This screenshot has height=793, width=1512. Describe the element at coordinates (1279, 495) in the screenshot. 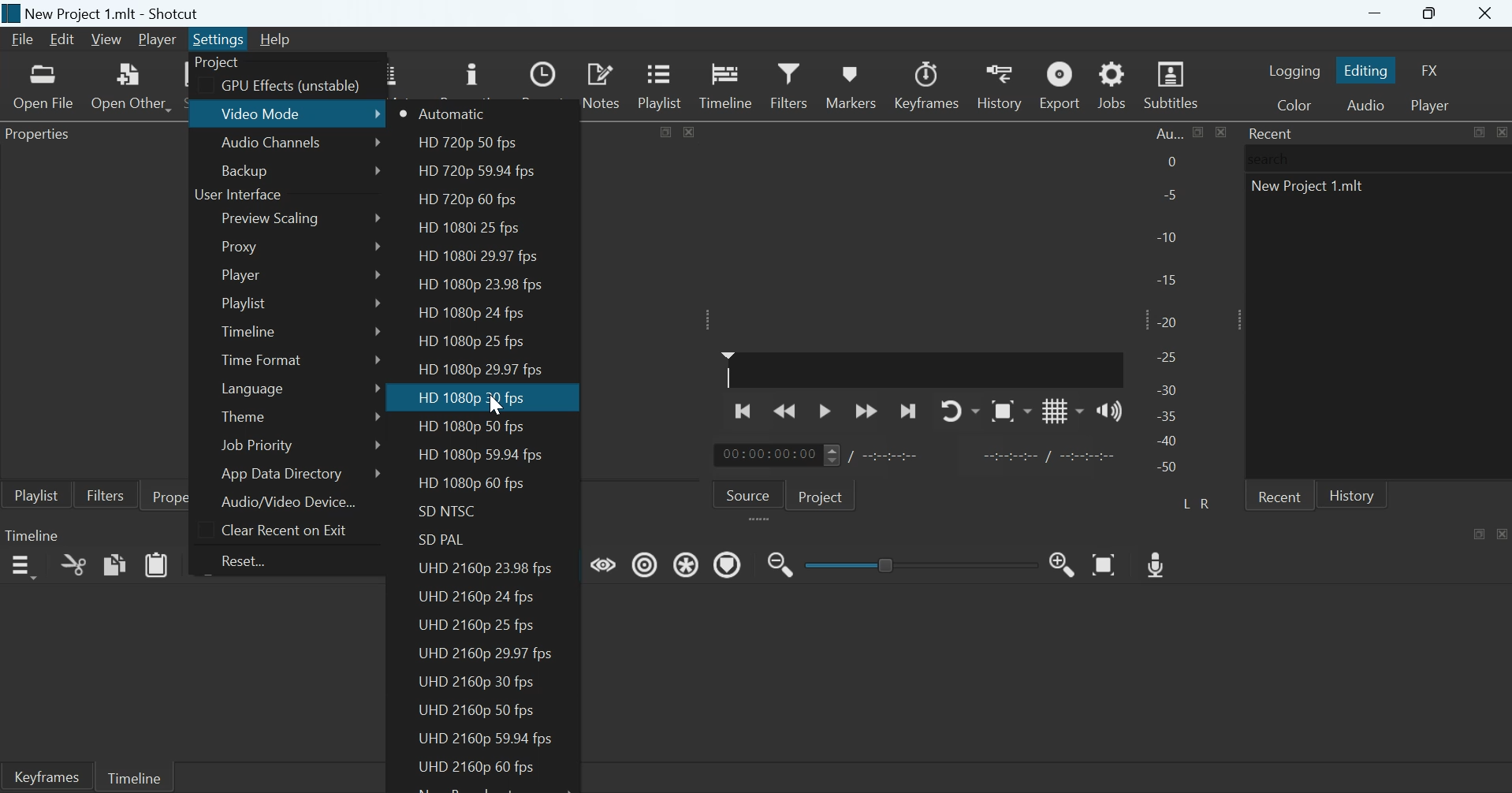

I see `Recent` at that location.